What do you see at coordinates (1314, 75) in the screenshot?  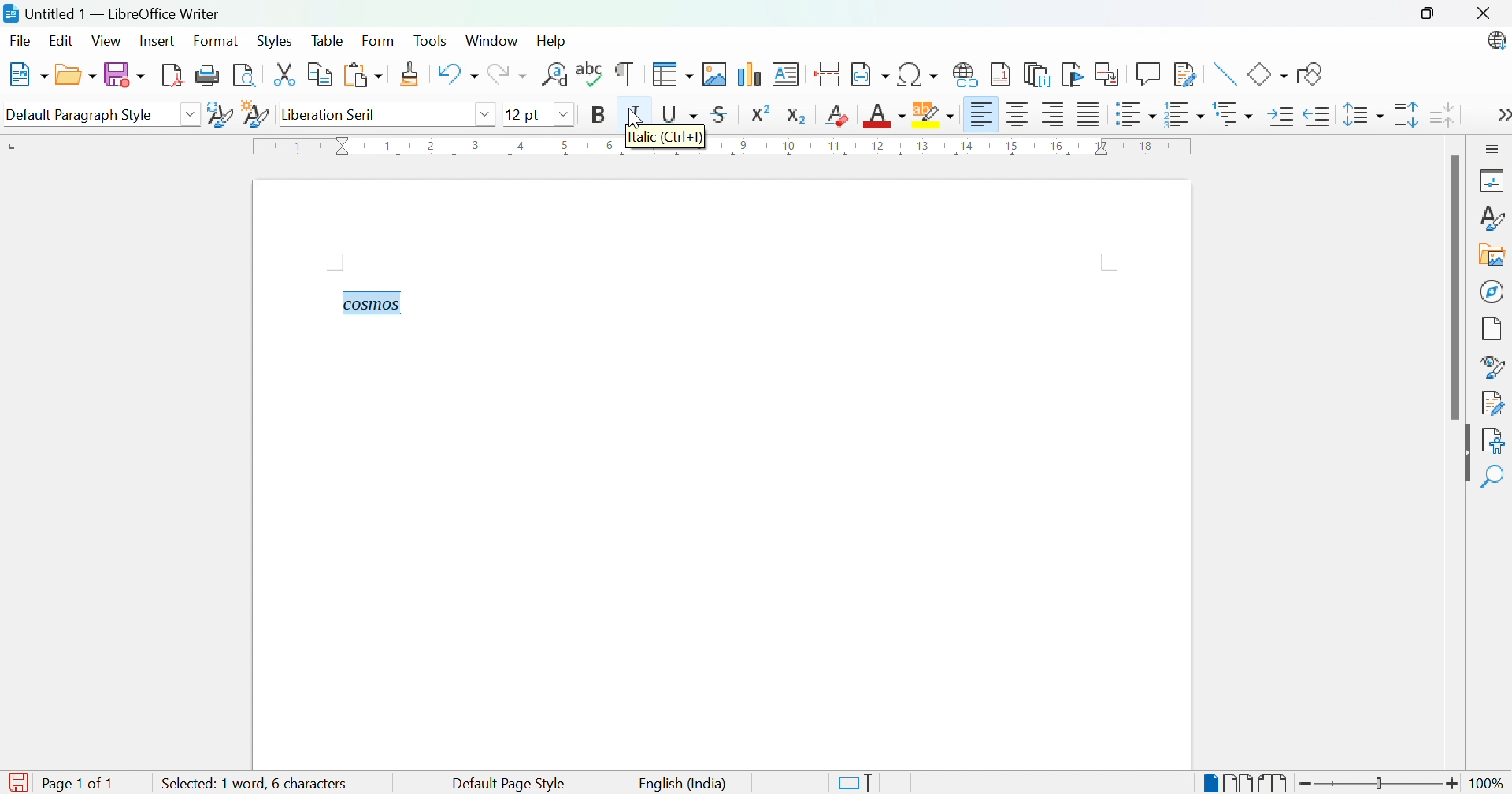 I see `Show draw functions` at bounding box center [1314, 75].